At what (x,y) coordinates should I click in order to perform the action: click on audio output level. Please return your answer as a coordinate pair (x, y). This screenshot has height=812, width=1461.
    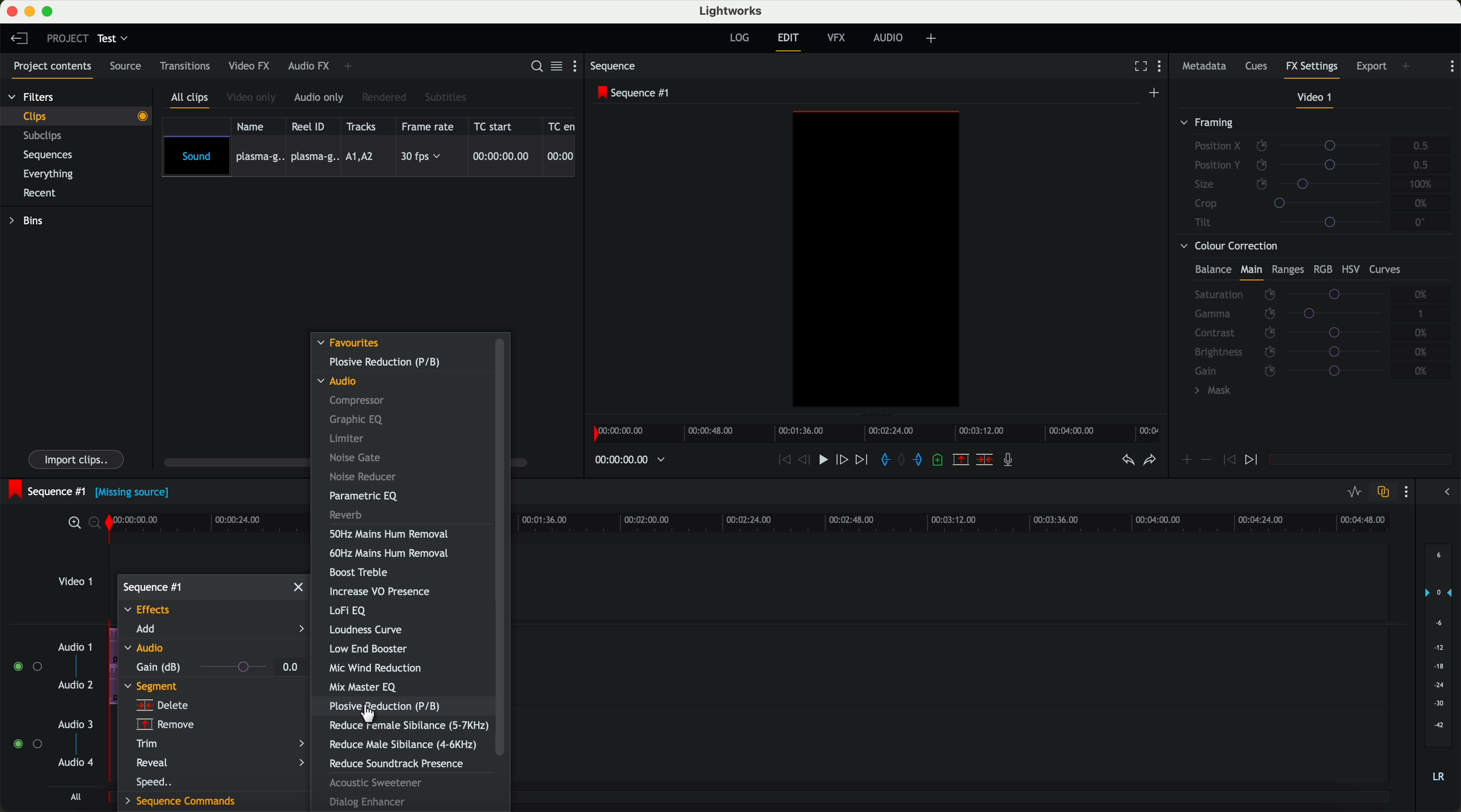
    Looking at the image, I should click on (1439, 670).